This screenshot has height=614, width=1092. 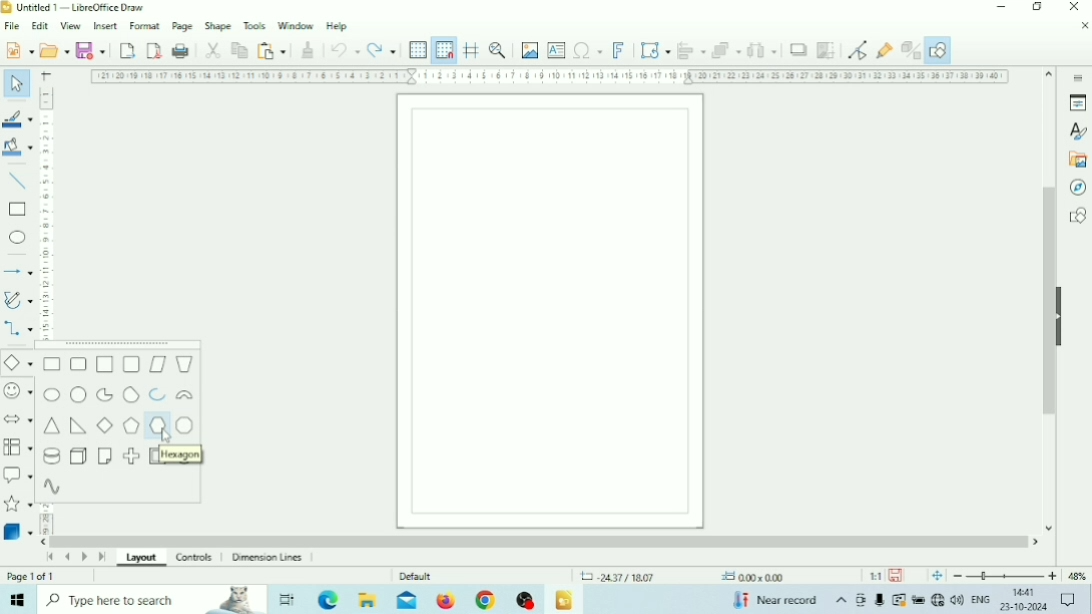 I want to click on Logo, so click(x=7, y=8).